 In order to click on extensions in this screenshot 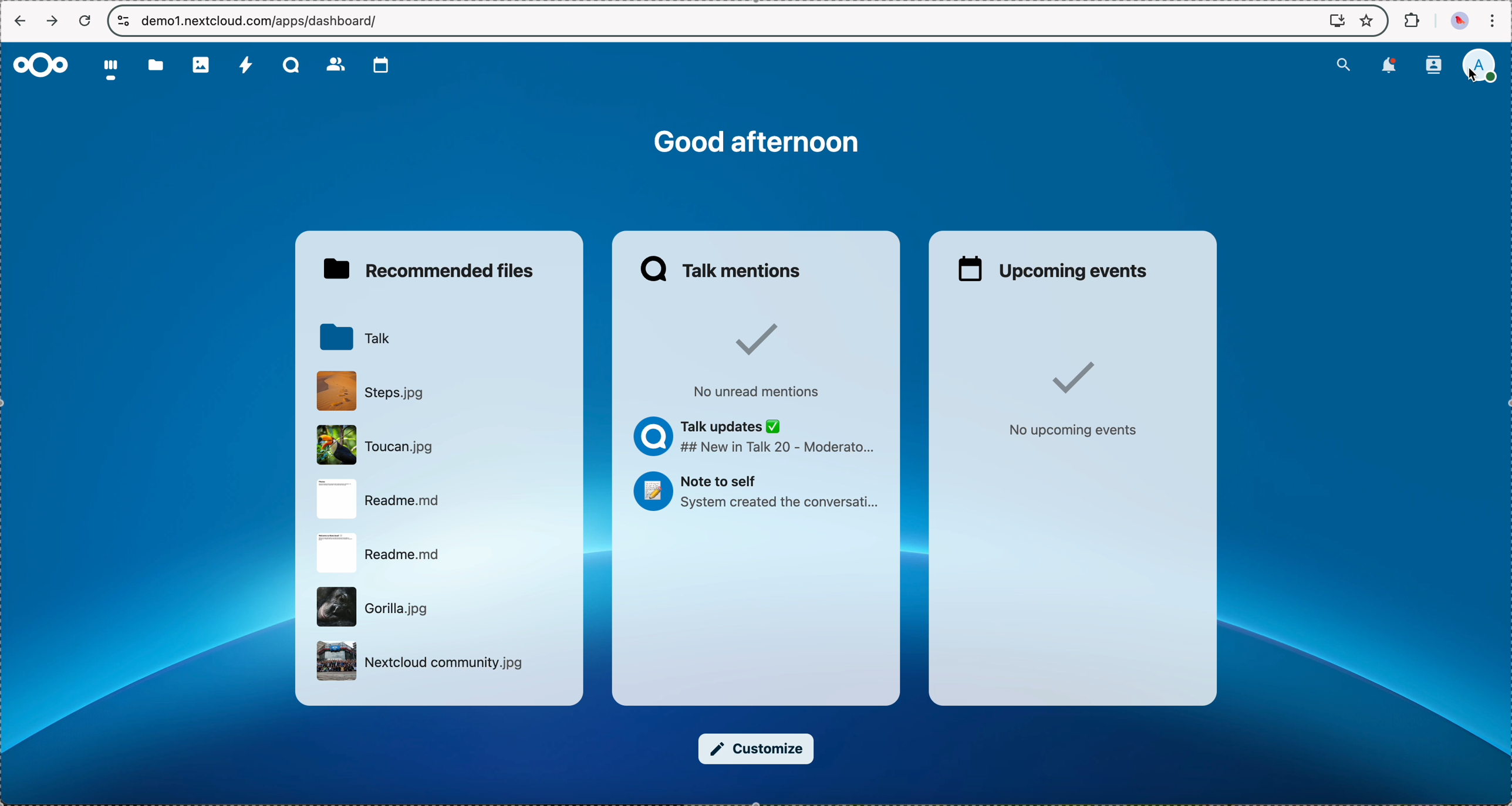, I will do `click(1410, 21)`.